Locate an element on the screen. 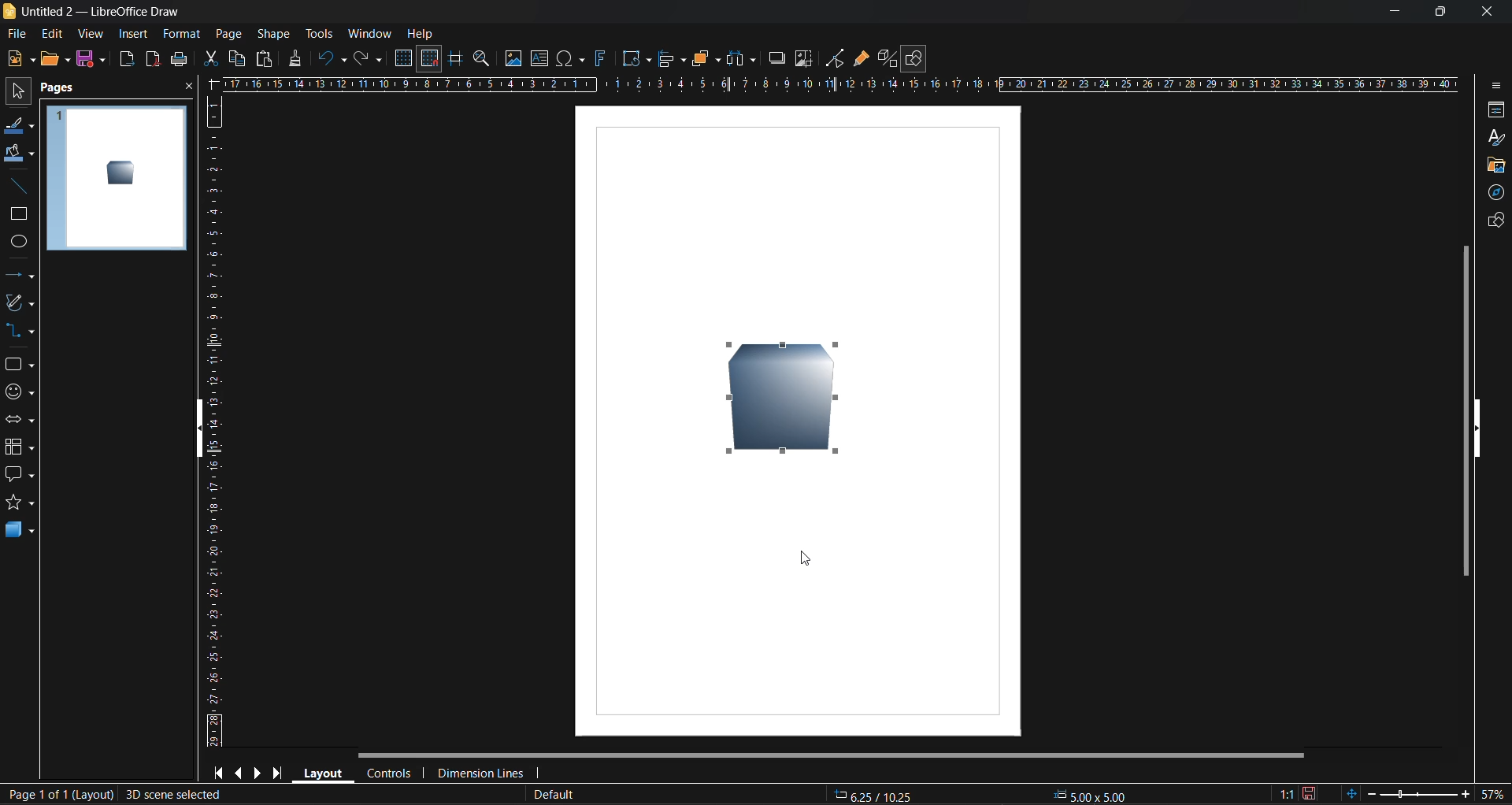  cube inserted is located at coordinates (788, 401).